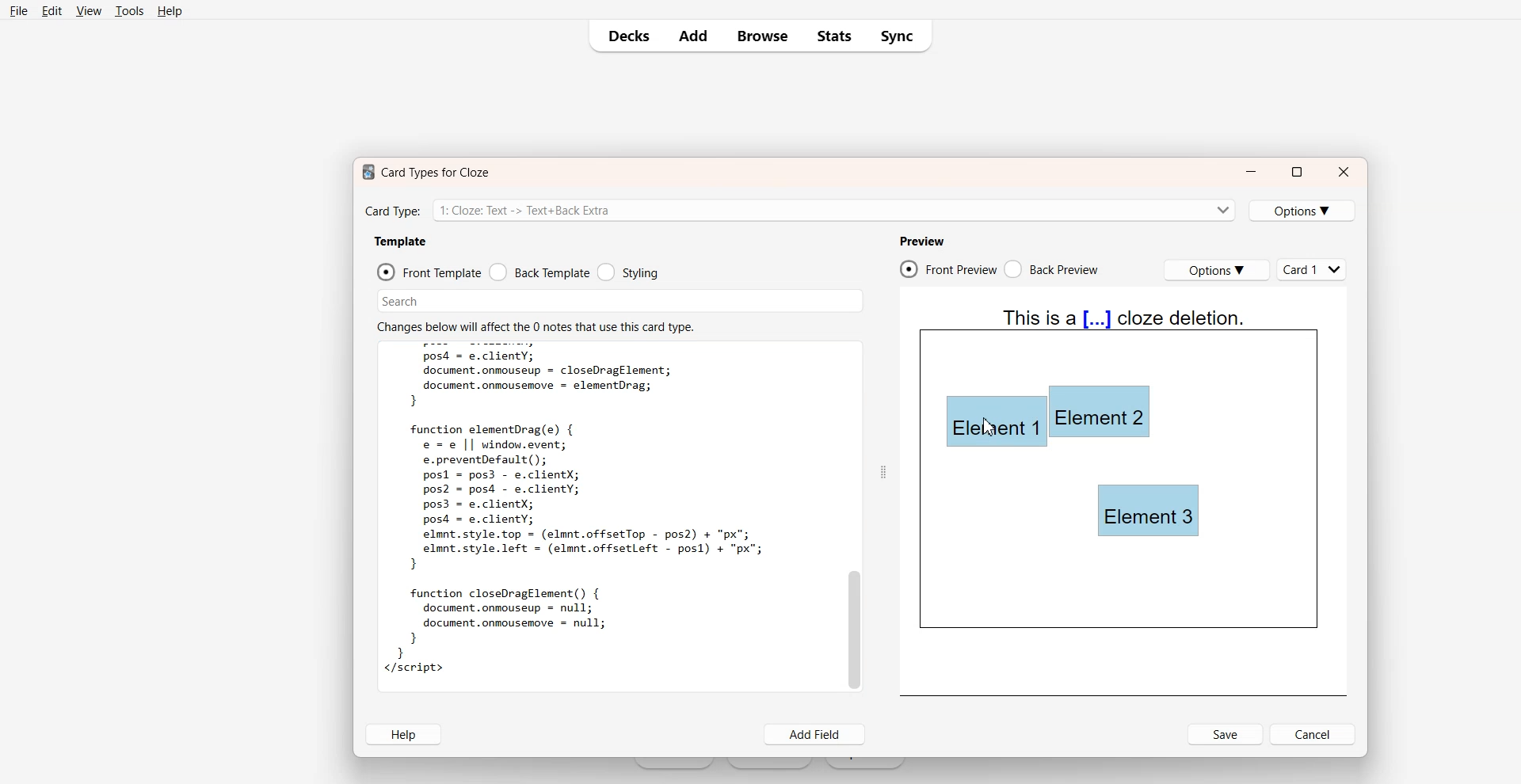  What do you see at coordinates (833, 36) in the screenshot?
I see `Stats` at bounding box center [833, 36].